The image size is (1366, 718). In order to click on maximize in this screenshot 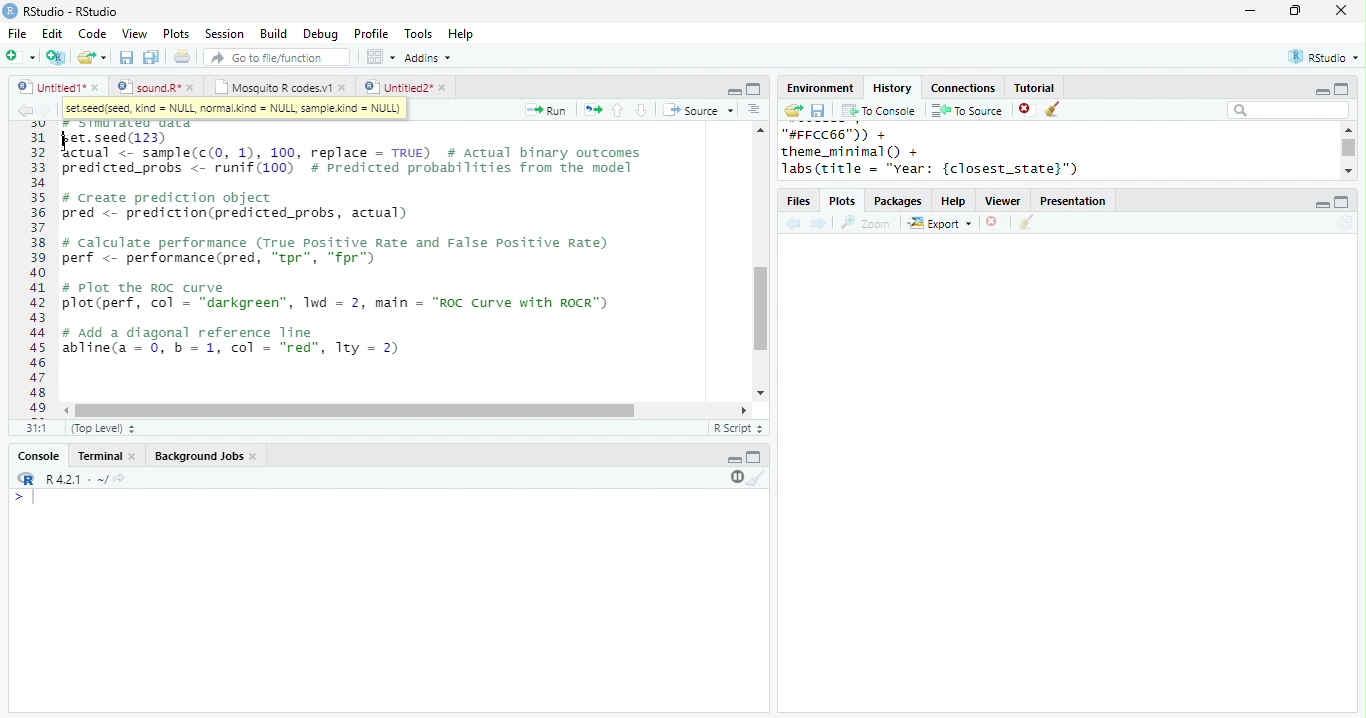, I will do `click(753, 89)`.